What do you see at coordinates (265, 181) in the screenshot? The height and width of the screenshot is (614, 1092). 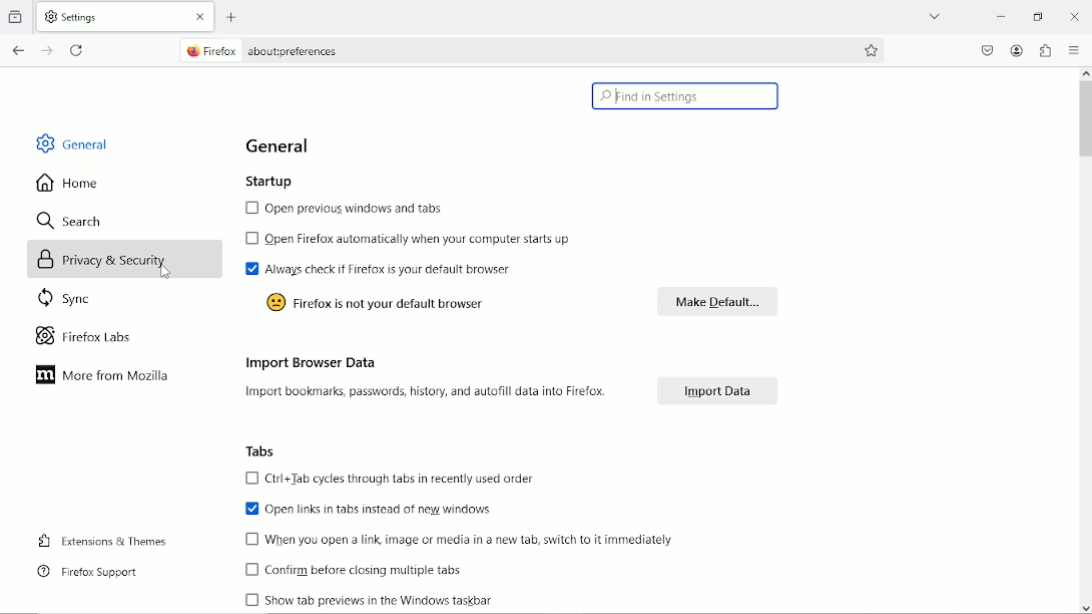 I see `startup` at bounding box center [265, 181].